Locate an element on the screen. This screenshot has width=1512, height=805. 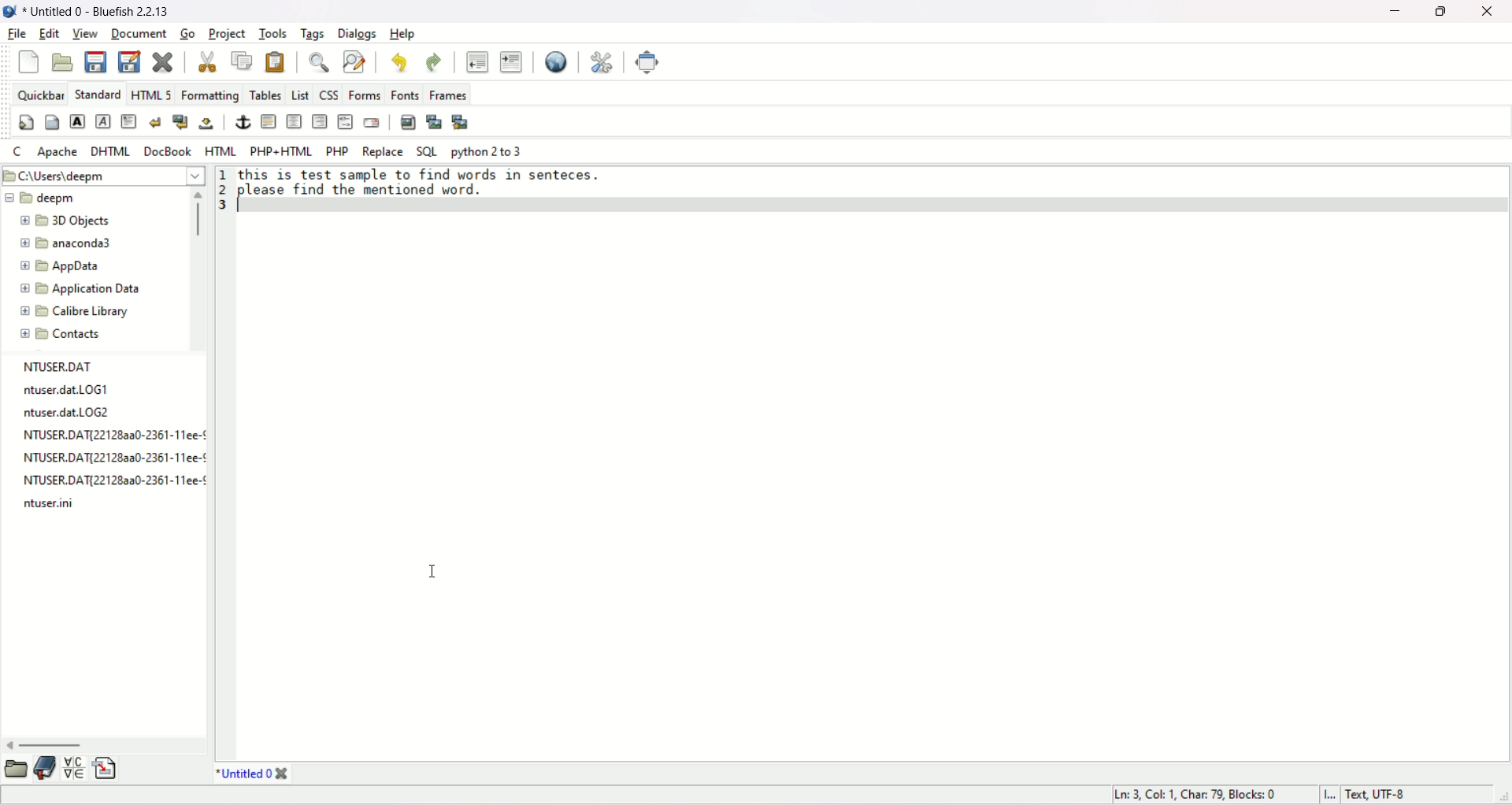
fullscreen is located at coordinates (650, 61).